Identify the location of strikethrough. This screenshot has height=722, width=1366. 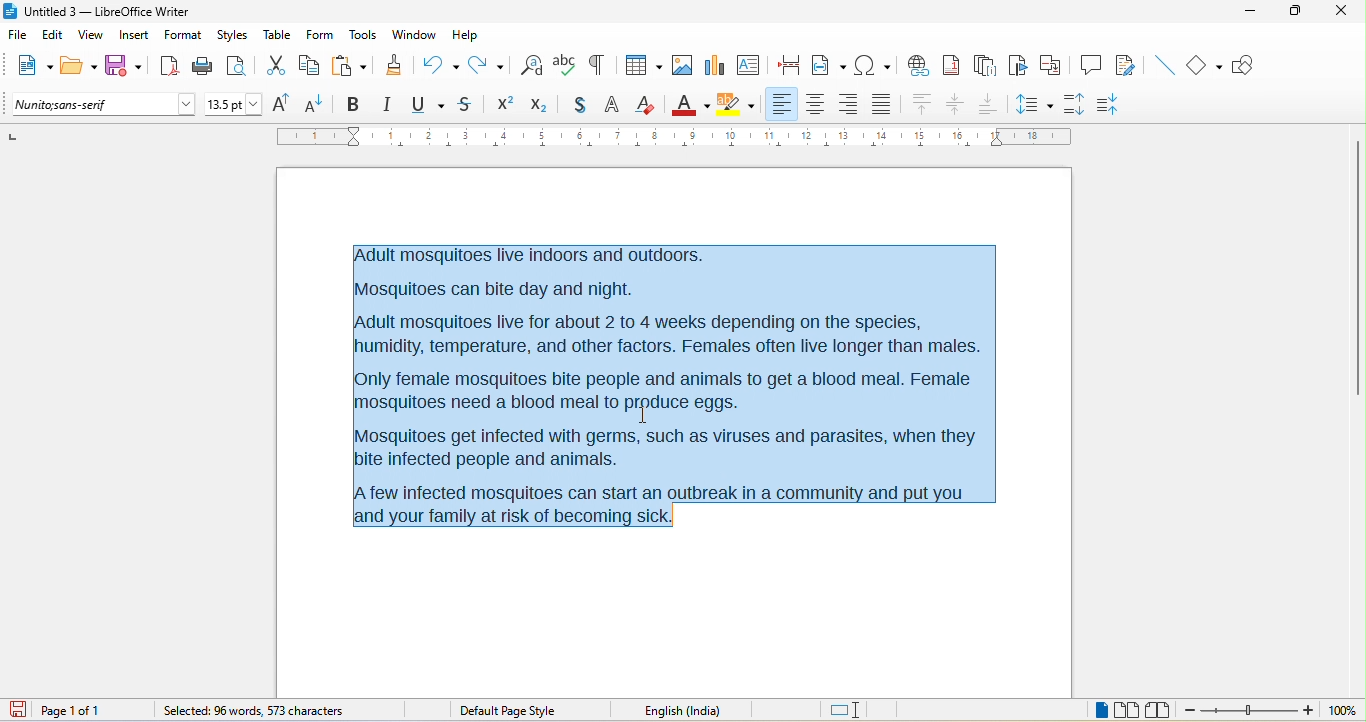
(466, 106).